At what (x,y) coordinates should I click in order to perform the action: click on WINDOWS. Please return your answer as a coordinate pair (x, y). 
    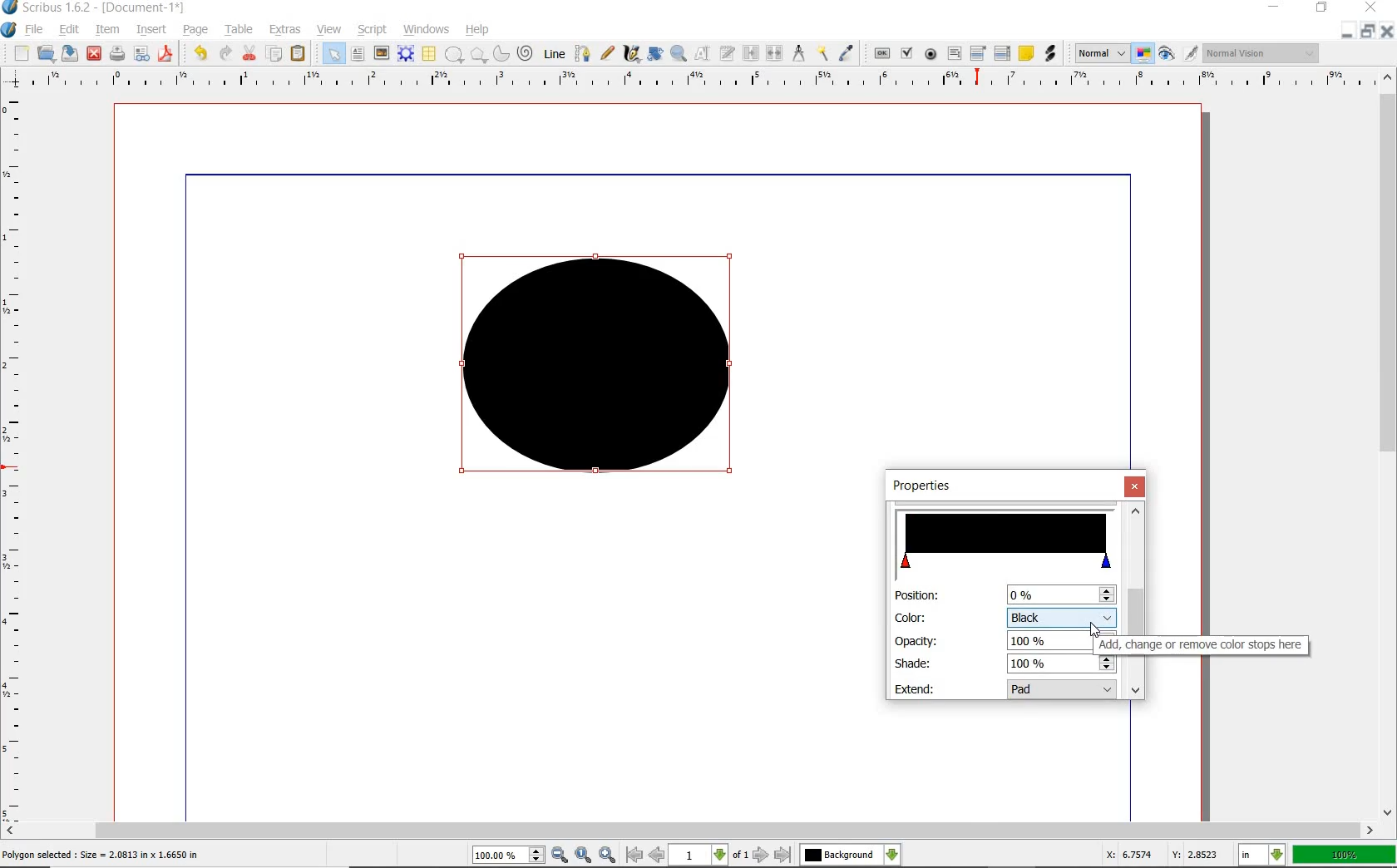
    Looking at the image, I should click on (427, 30).